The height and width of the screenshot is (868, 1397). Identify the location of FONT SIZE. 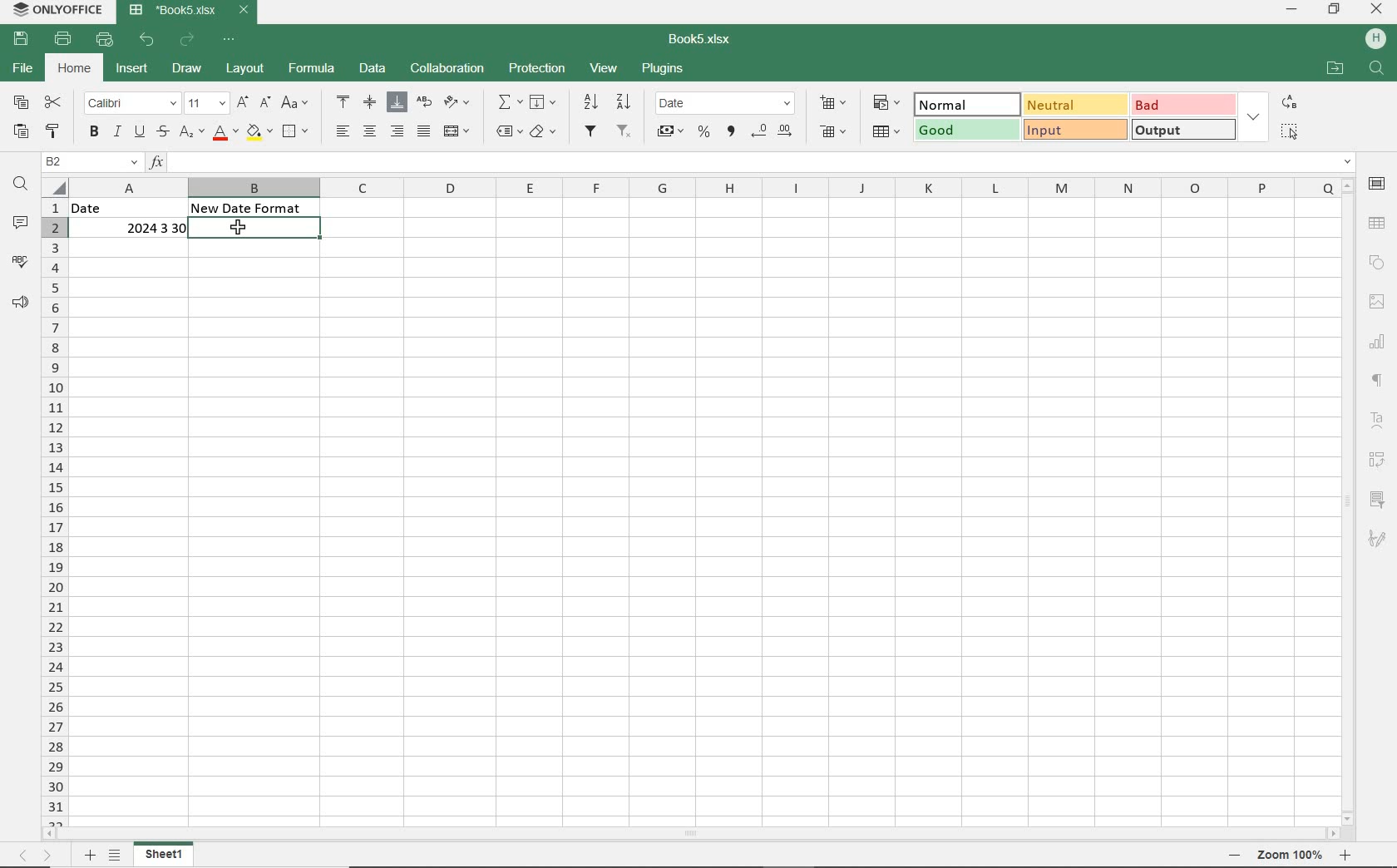
(208, 104).